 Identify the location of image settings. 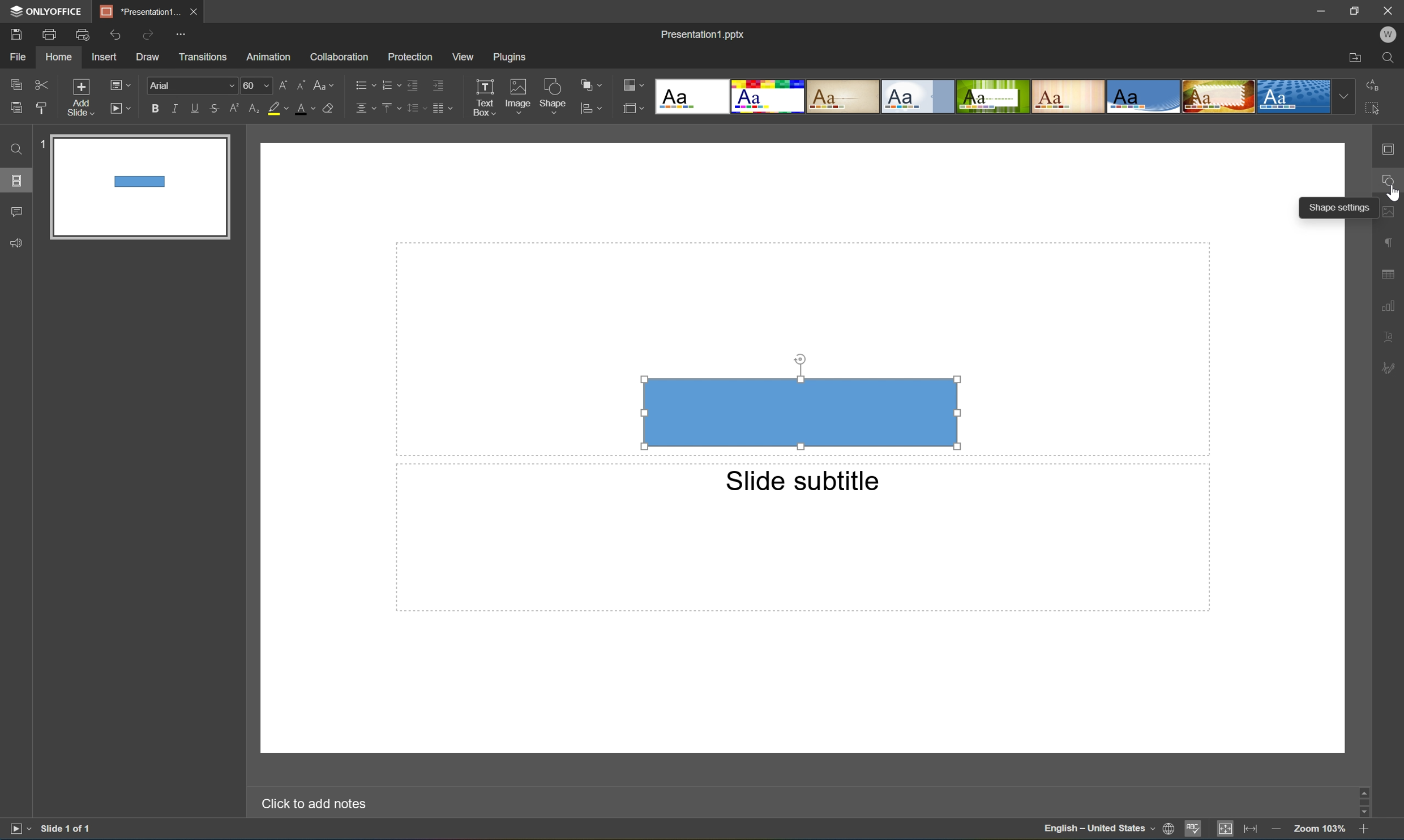
(1390, 211).